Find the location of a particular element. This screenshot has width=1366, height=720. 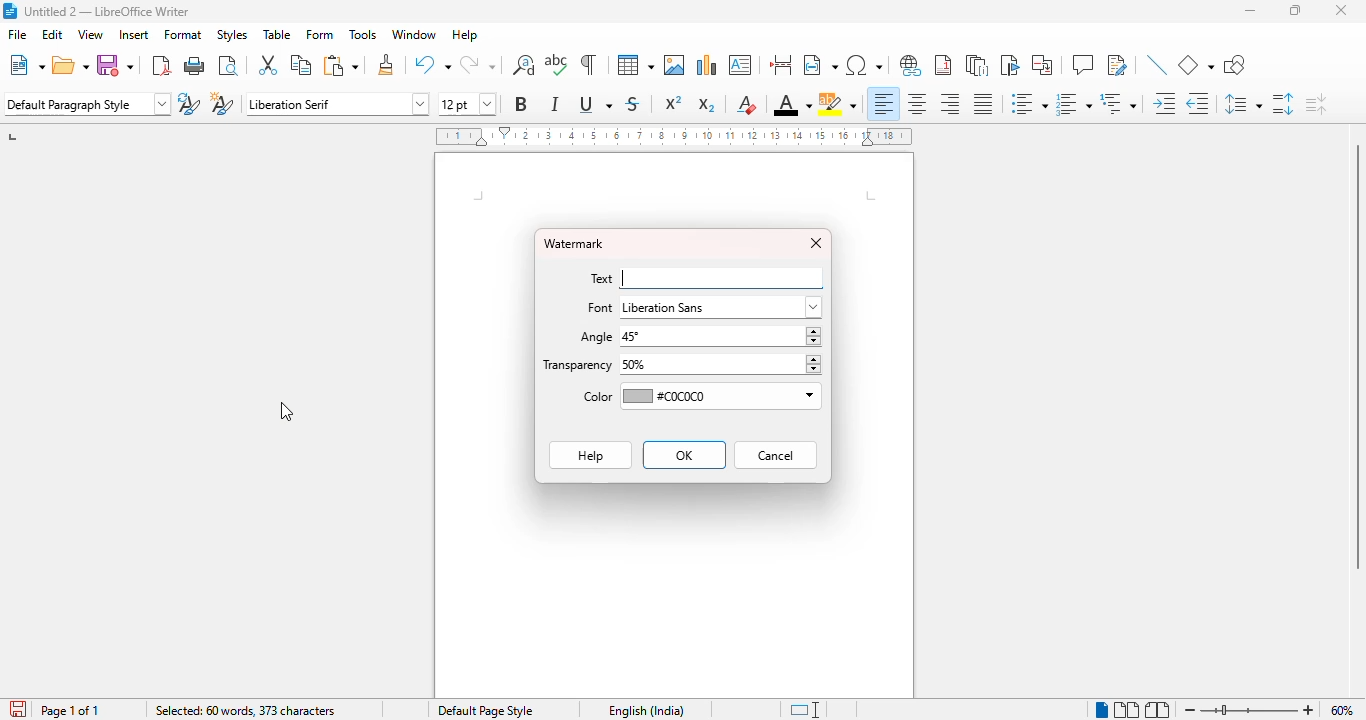

export directly as PDF is located at coordinates (162, 65).